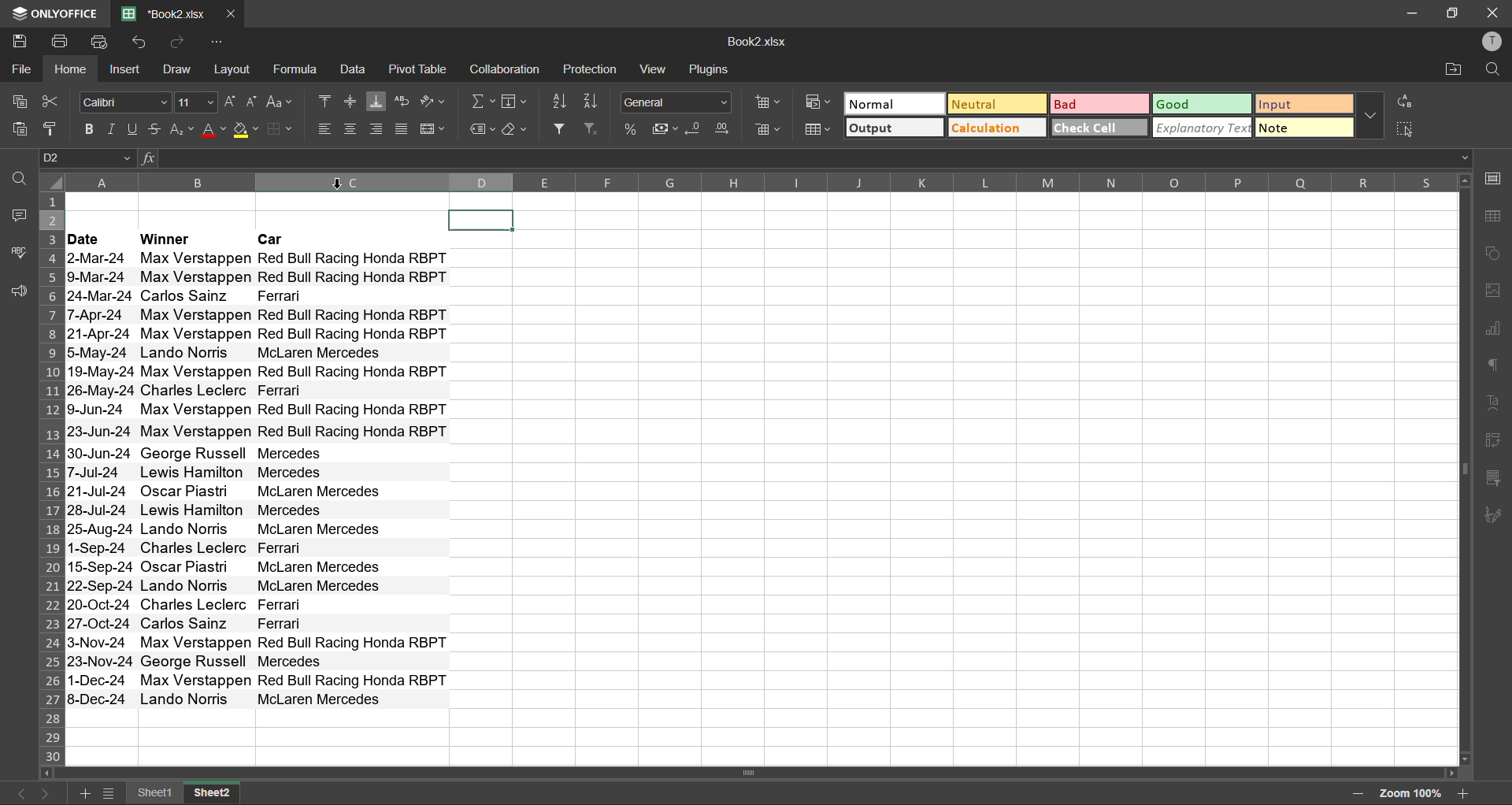 Image resolution: width=1512 pixels, height=805 pixels. What do you see at coordinates (1491, 181) in the screenshot?
I see `cell settings` at bounding box center [1491, 181].